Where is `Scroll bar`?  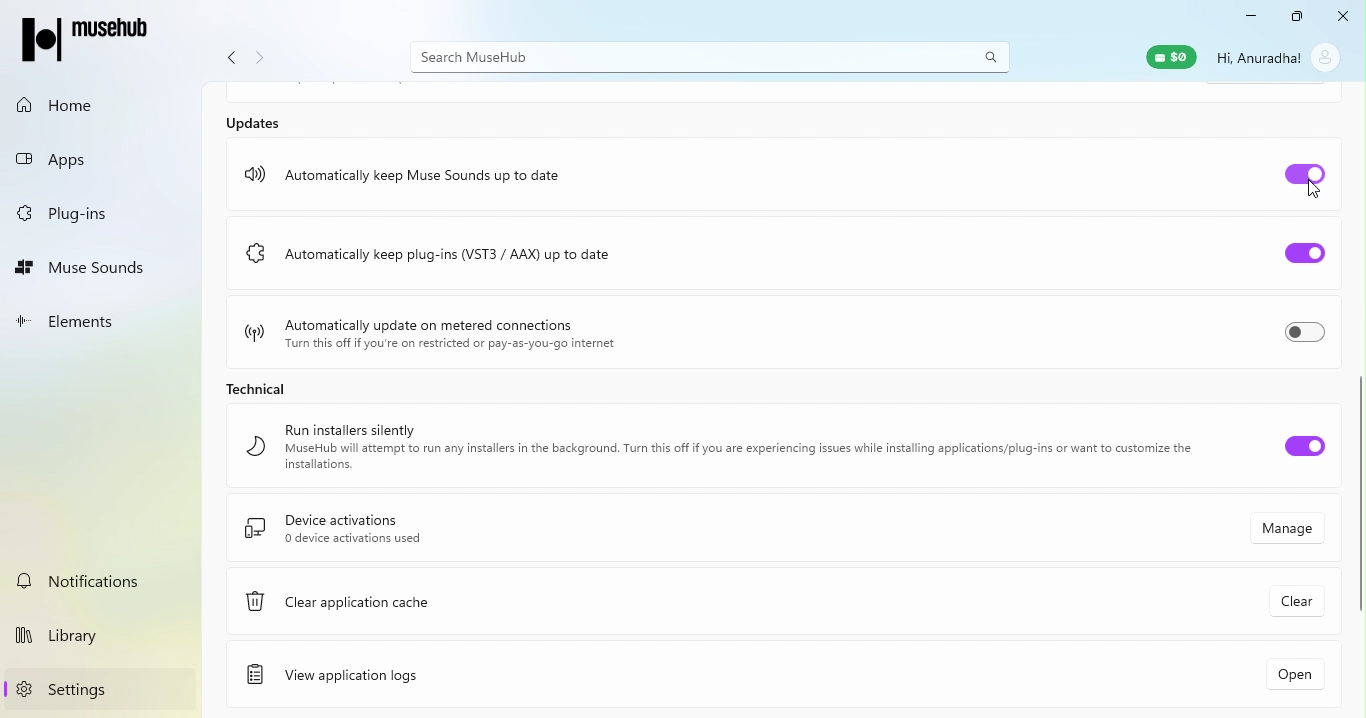
Scroll bar is located at coordinates (1358, 496).